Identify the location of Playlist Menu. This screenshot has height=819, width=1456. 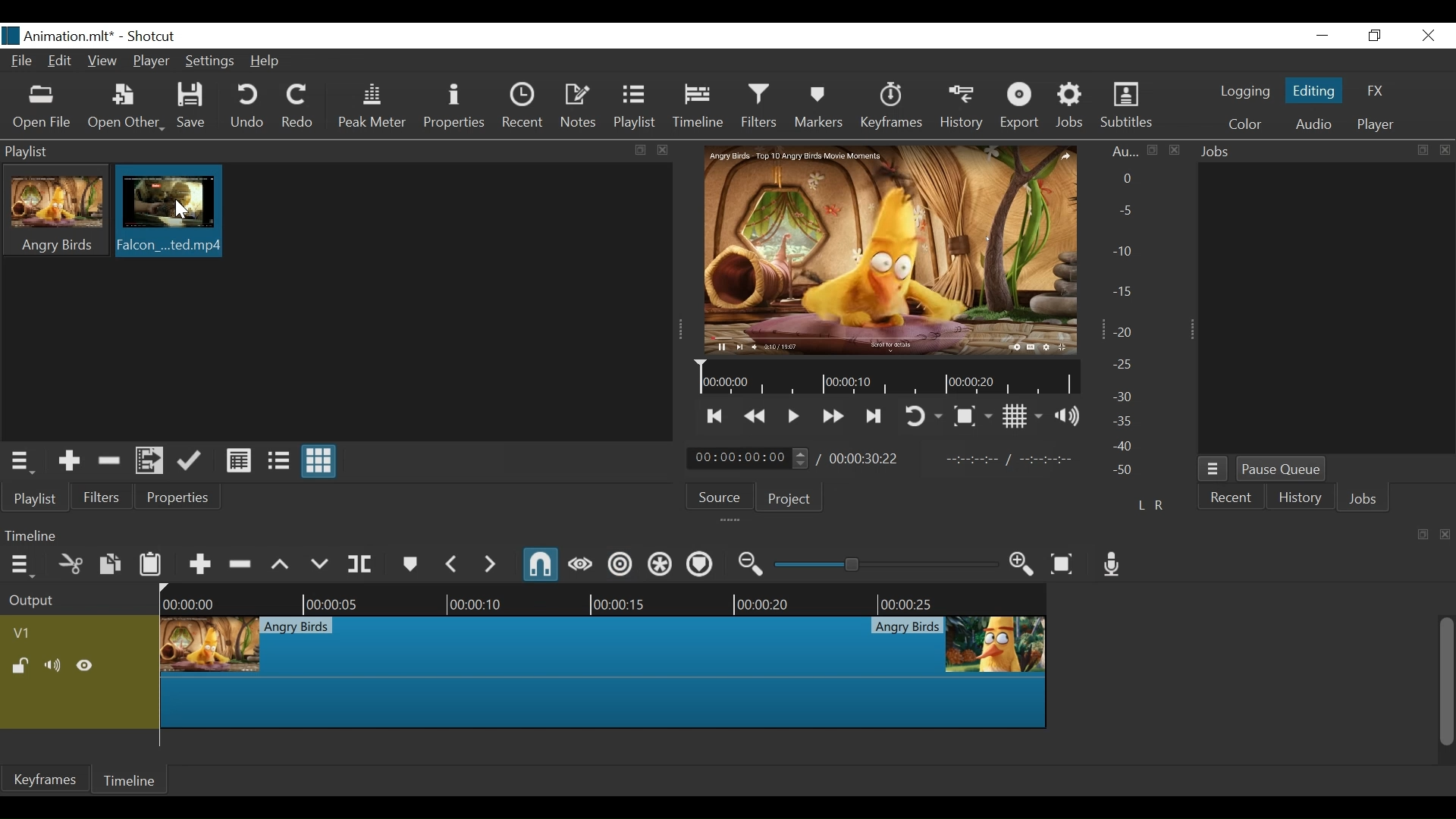
(20, 461).